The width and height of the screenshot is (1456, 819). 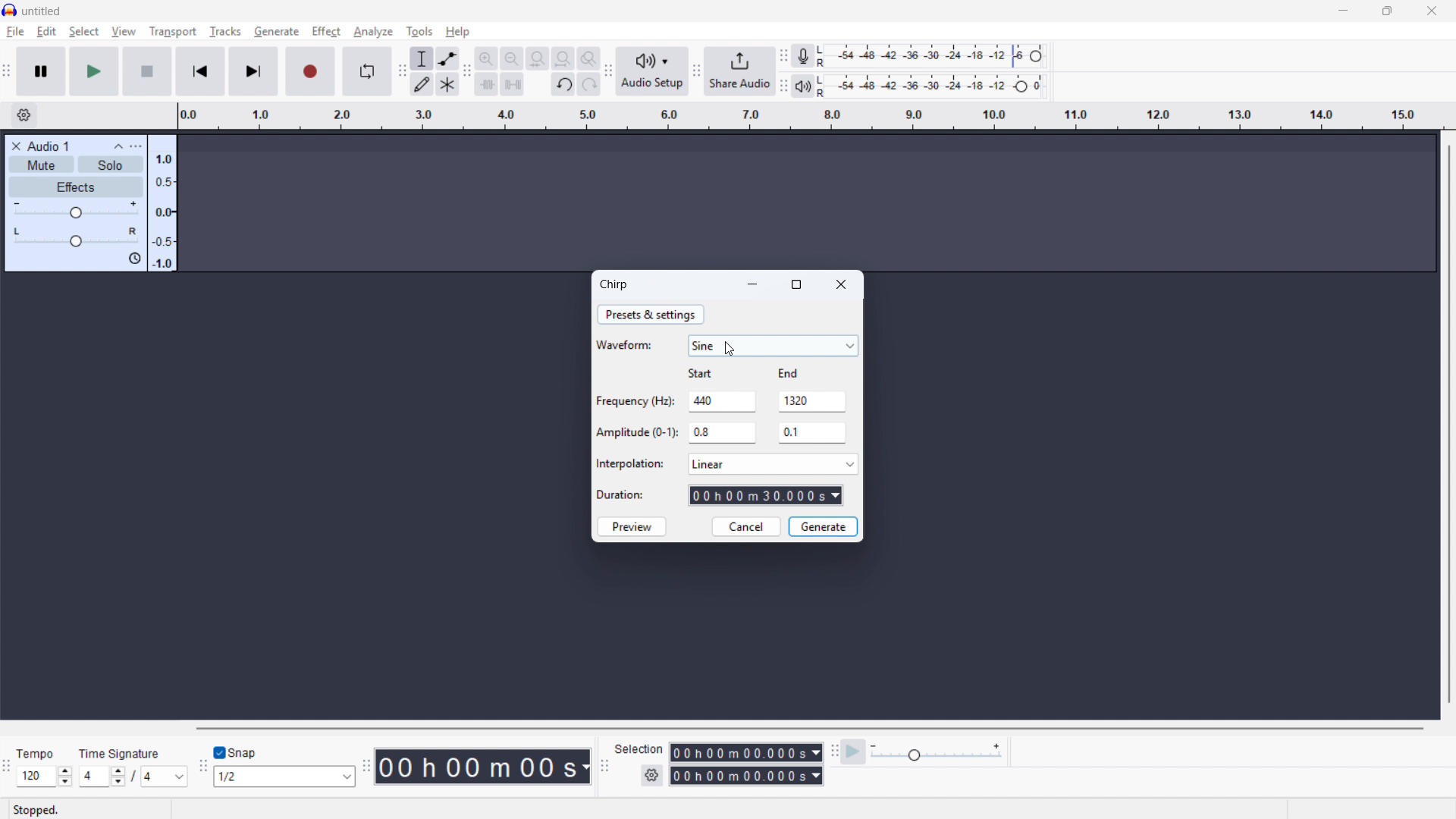 I want to click on Recording metre toolbar, so click(x=783, y=55).